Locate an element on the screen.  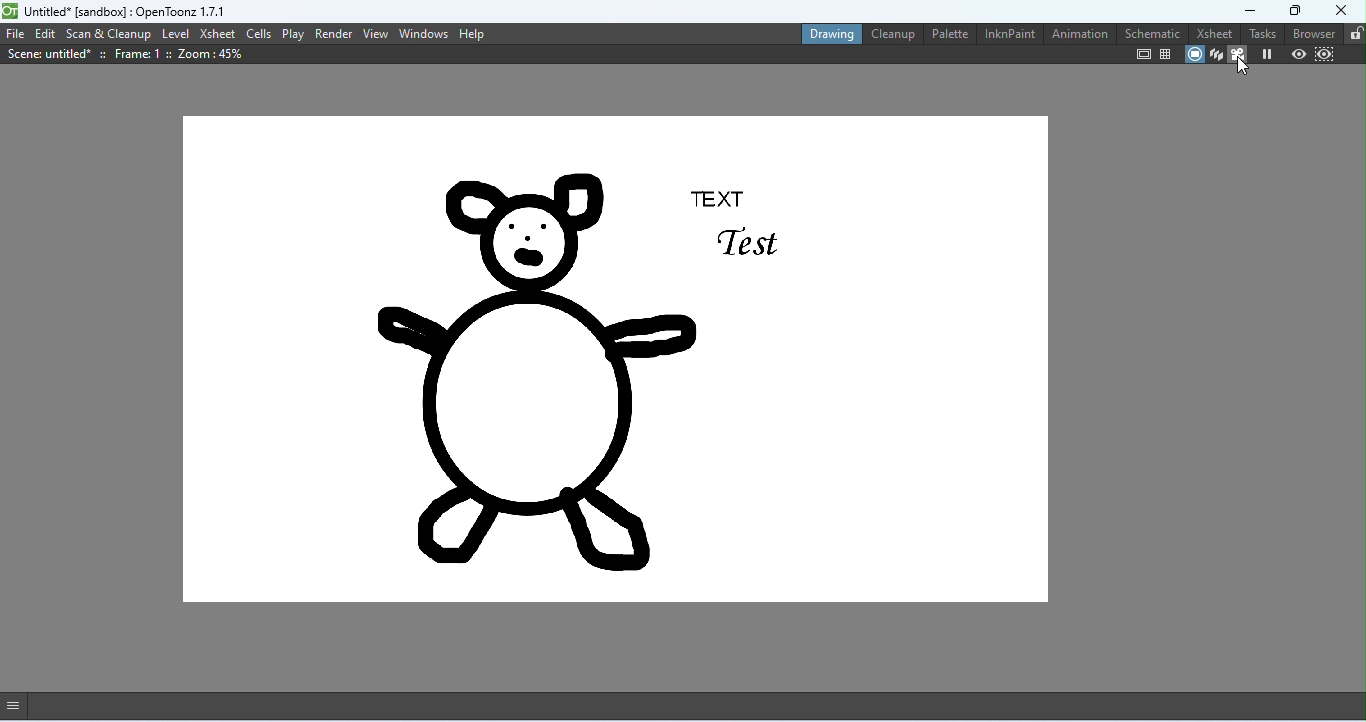
play is located at coordinates (295, 34).